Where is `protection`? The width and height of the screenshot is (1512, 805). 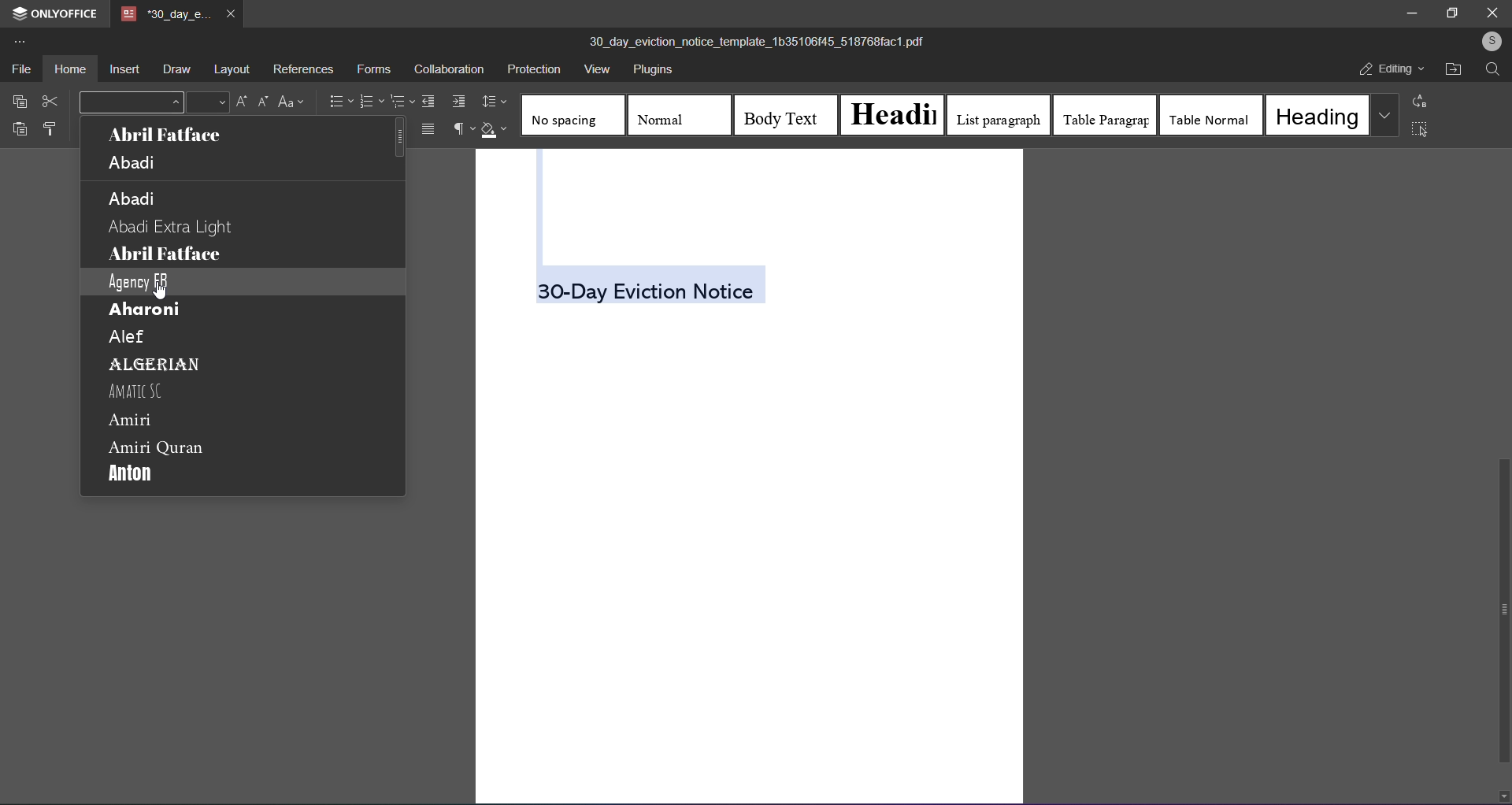 protection is located at coordinates (532, 68).